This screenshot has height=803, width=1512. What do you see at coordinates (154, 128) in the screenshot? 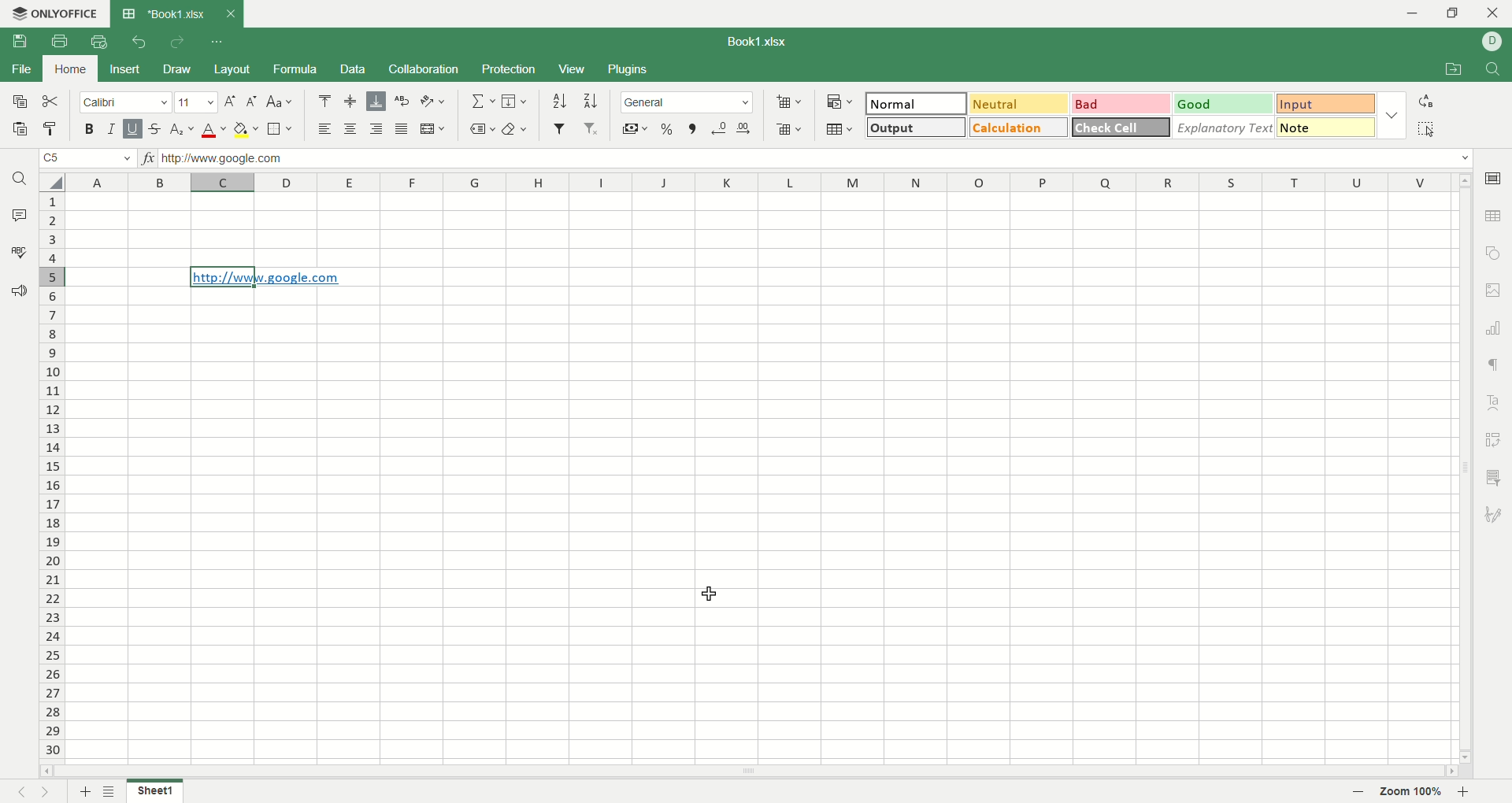
I see `strikethrough` at bounding box center [154, 128].